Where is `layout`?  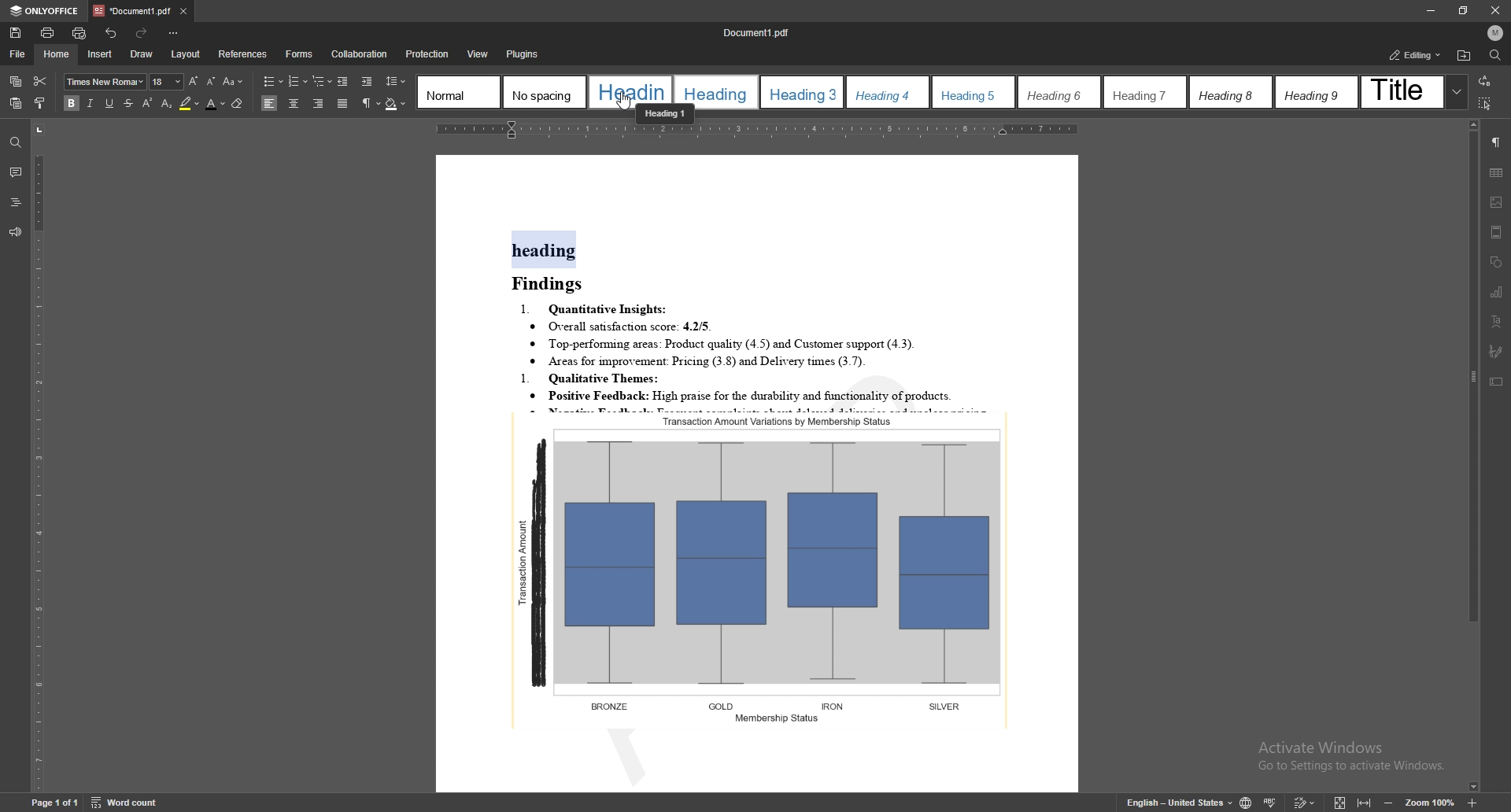
layout is located at coordinates (187, 54).